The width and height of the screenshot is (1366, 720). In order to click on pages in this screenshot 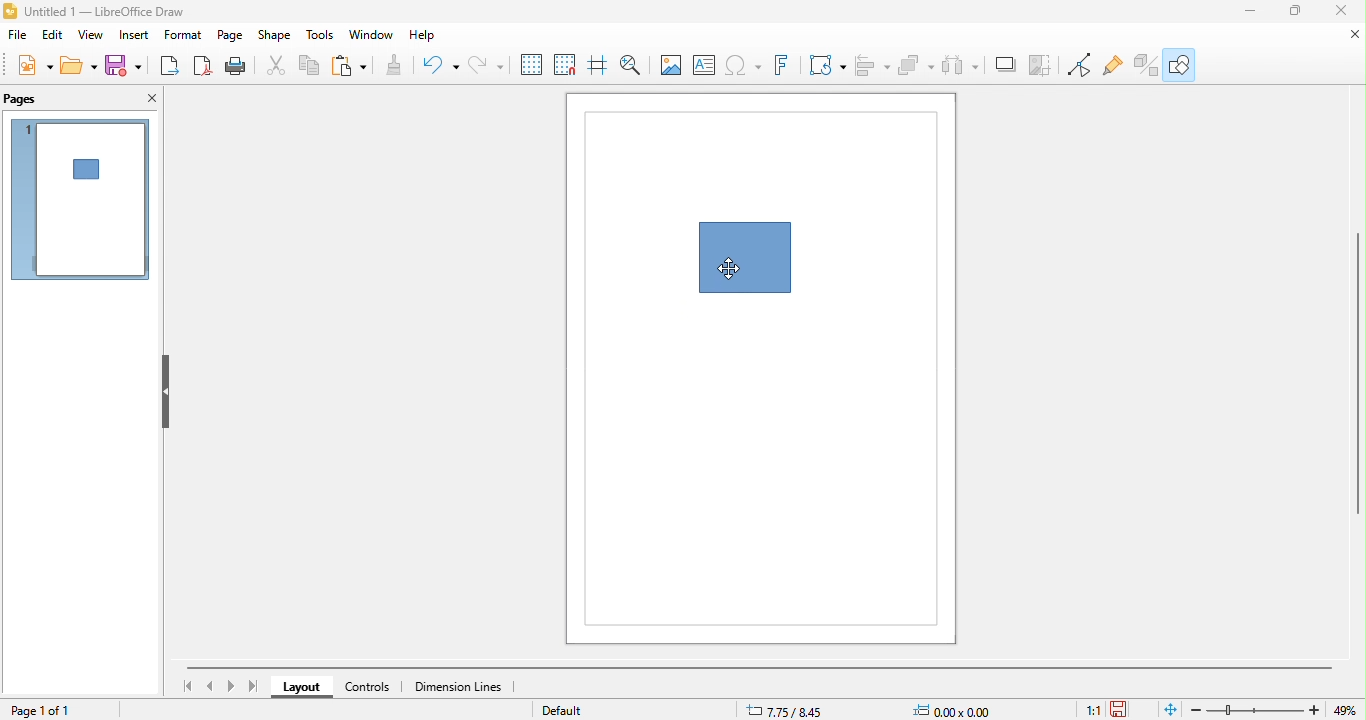, I will do `click(35, 99)`.